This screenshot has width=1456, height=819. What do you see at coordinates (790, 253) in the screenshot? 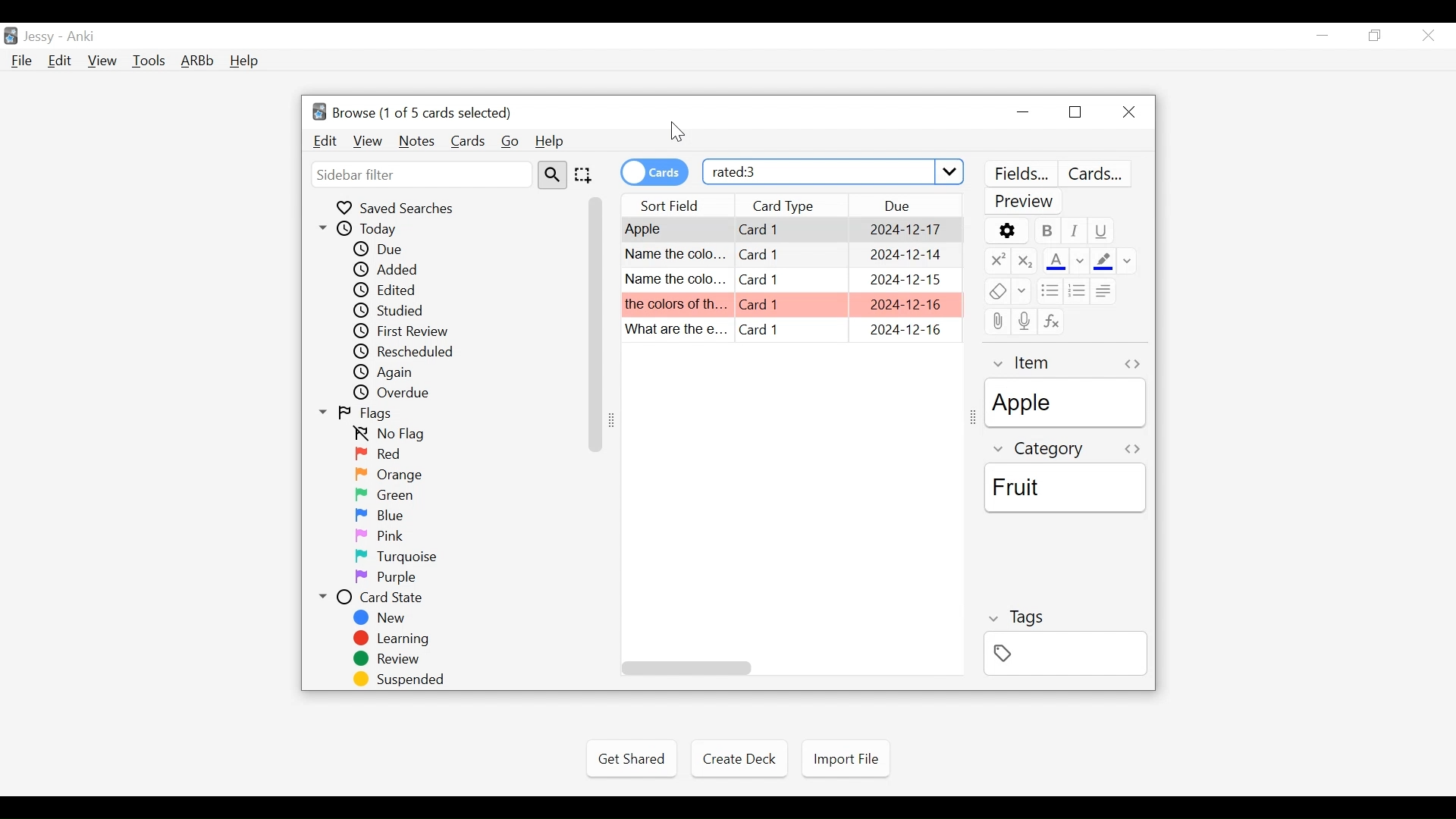
I see `Card Type` at bounding box center [790, 253].